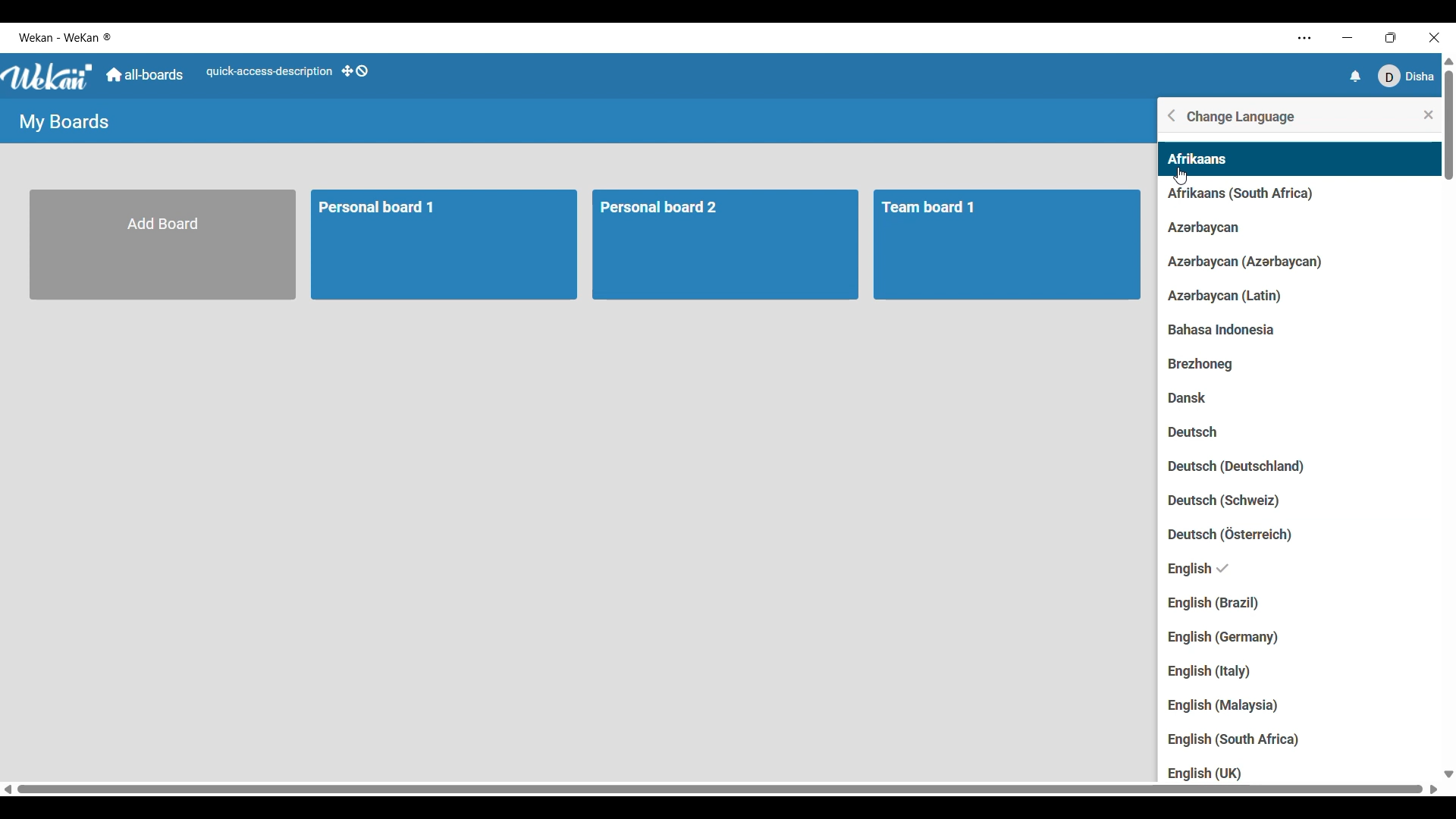 This screenshot has height=819, width=1456. I want to click on Go back, so click(1172, 115).